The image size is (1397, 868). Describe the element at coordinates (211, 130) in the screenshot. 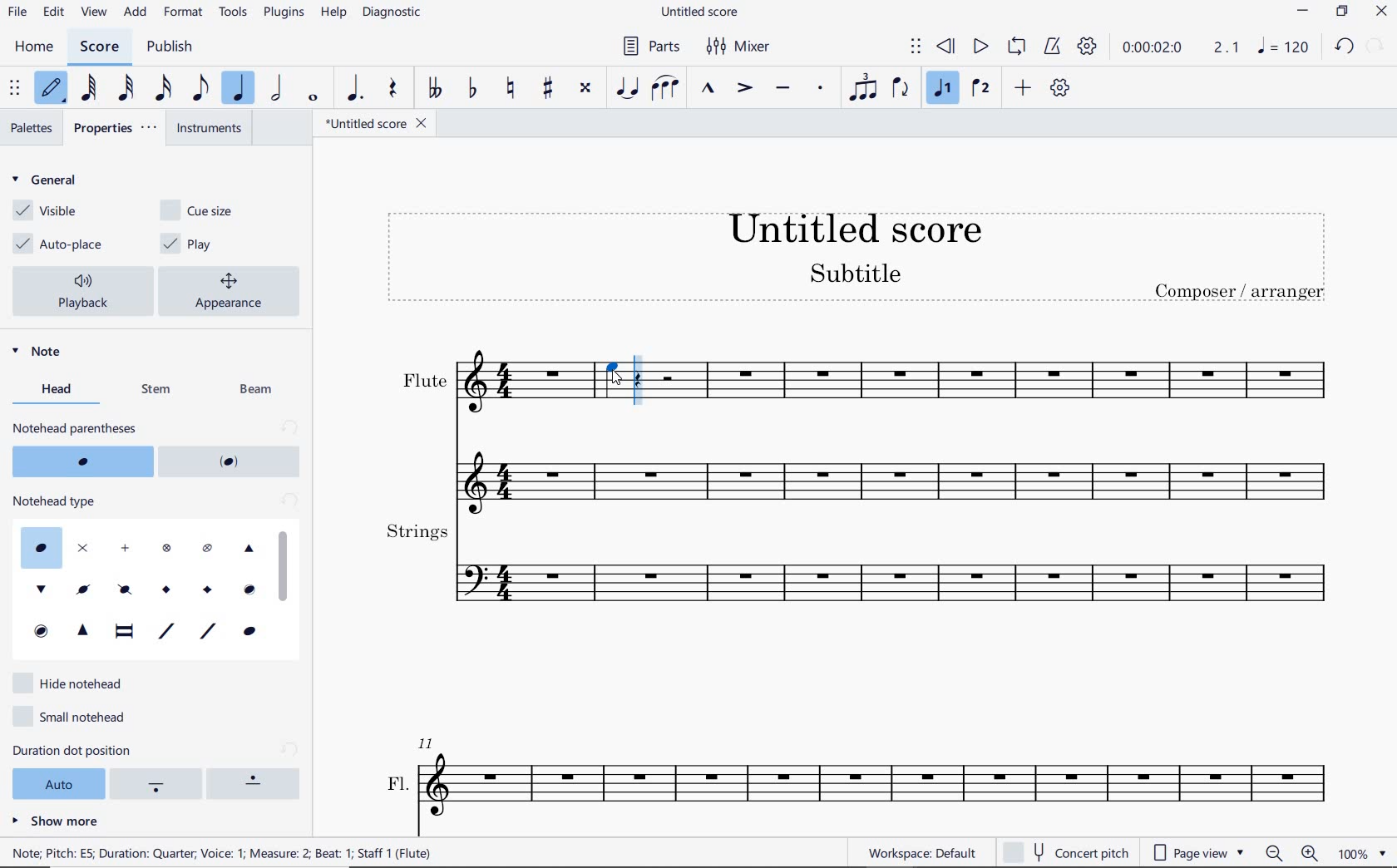

I see `INSTRUMENTS` at that location.